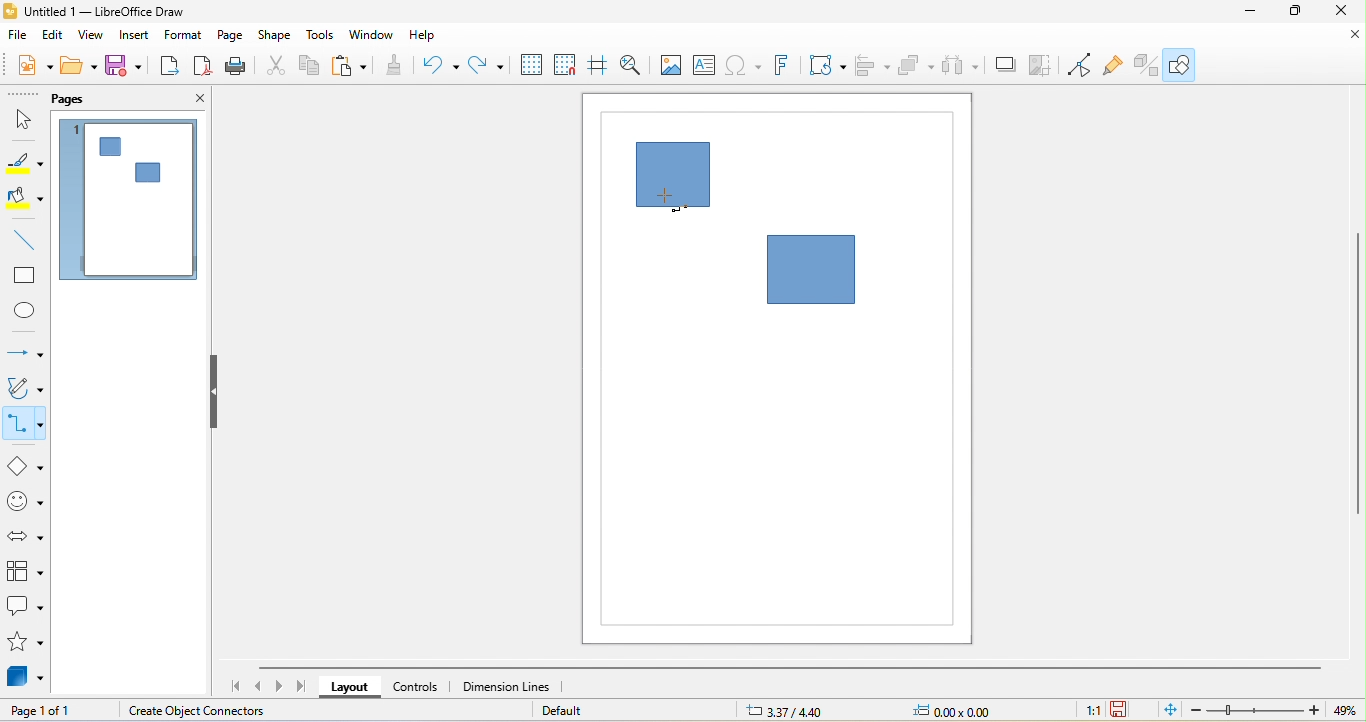 The width and height of the screenshot is (1366, 722). What do you see at coordinates (23, 677) in the screenshot?
I see `3d objects` at bounding box center [23, 677].